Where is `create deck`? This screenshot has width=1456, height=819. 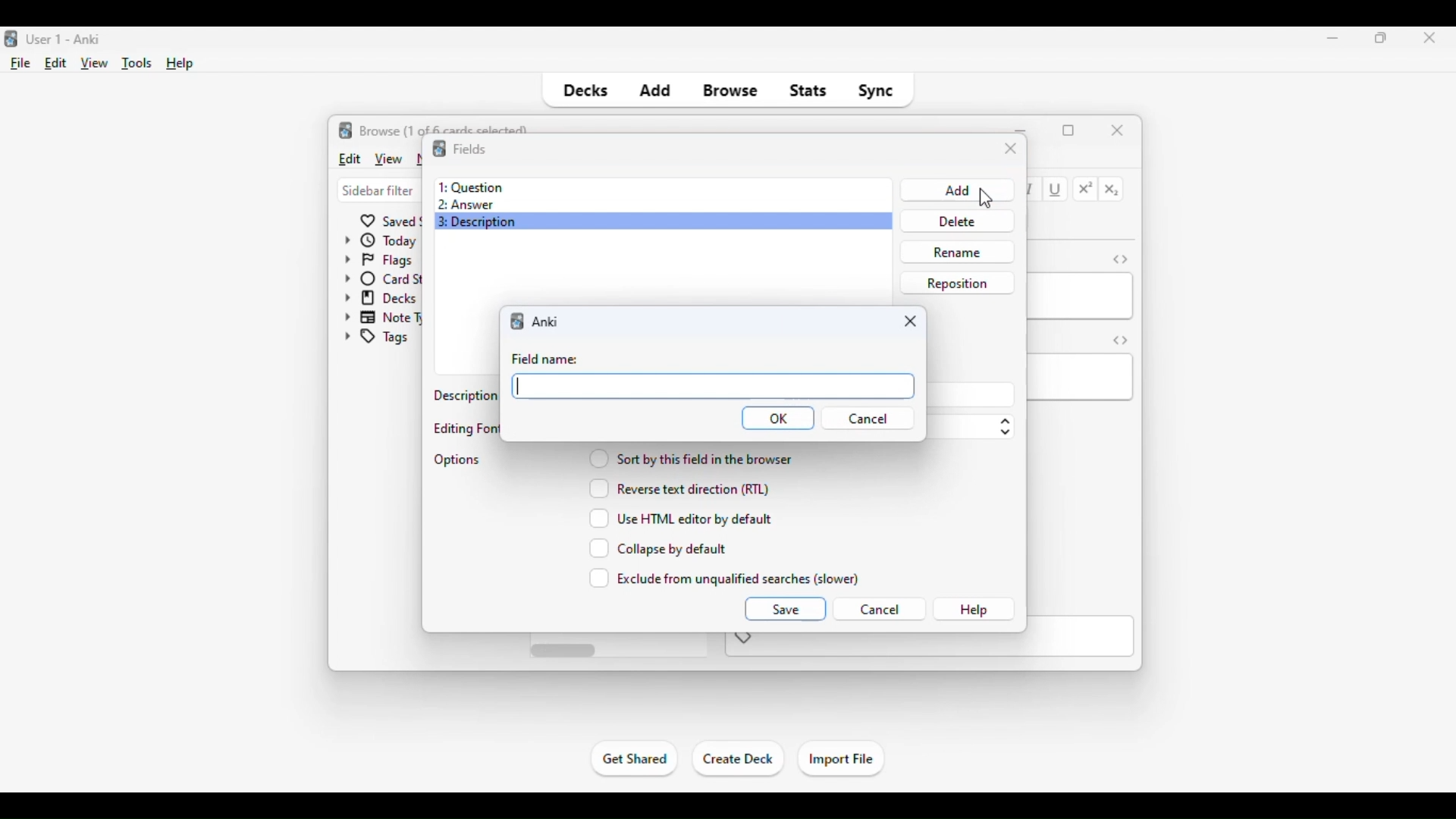 create deck is located at coordinates (739, 759).